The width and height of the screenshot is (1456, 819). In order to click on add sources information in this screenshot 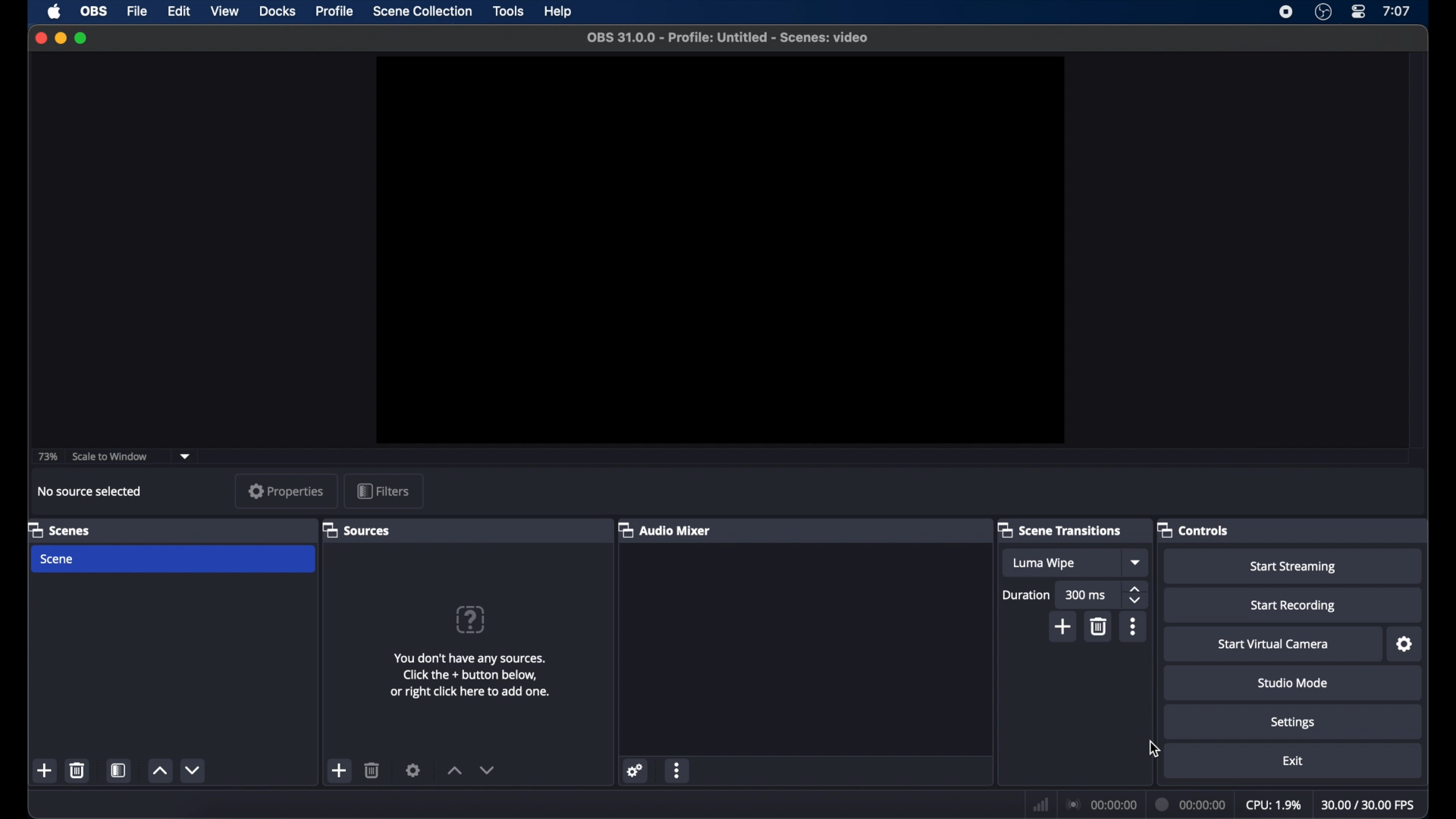, I will do `click(470, 675)`.